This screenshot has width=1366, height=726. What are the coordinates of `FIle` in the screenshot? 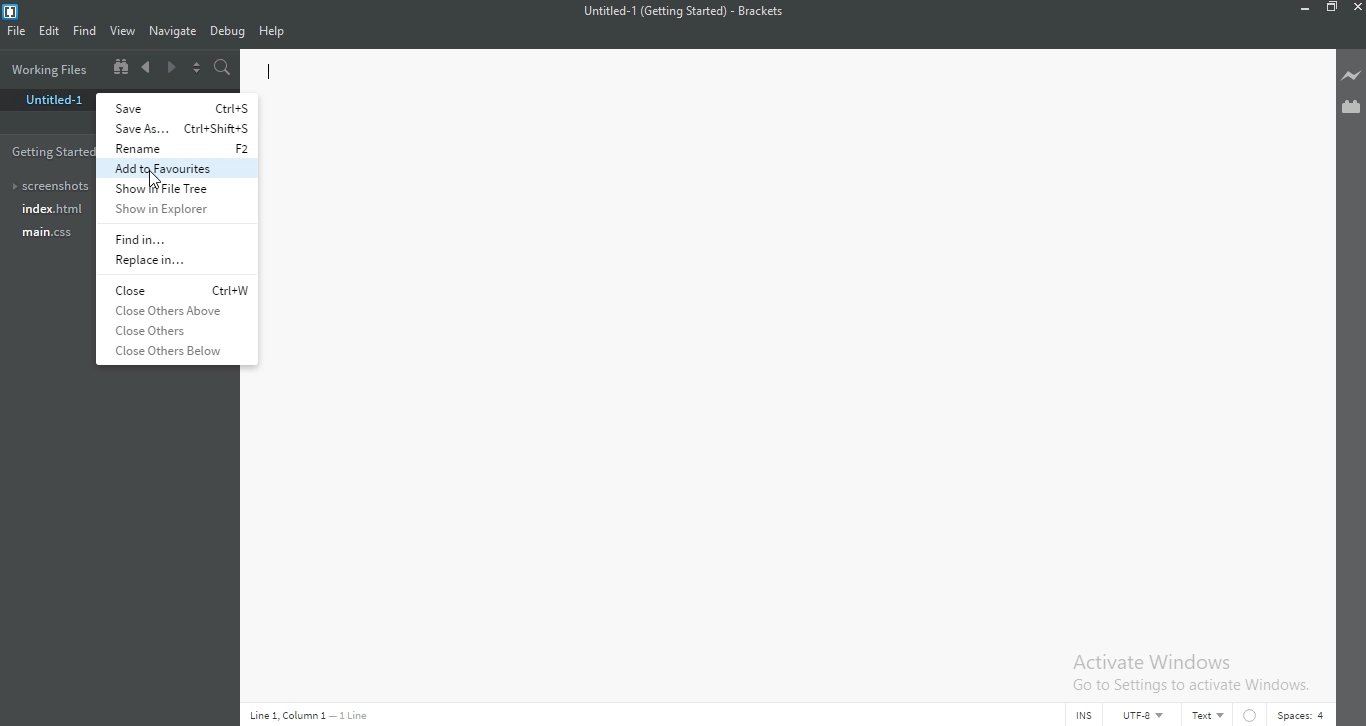 It's located at (14, 31).